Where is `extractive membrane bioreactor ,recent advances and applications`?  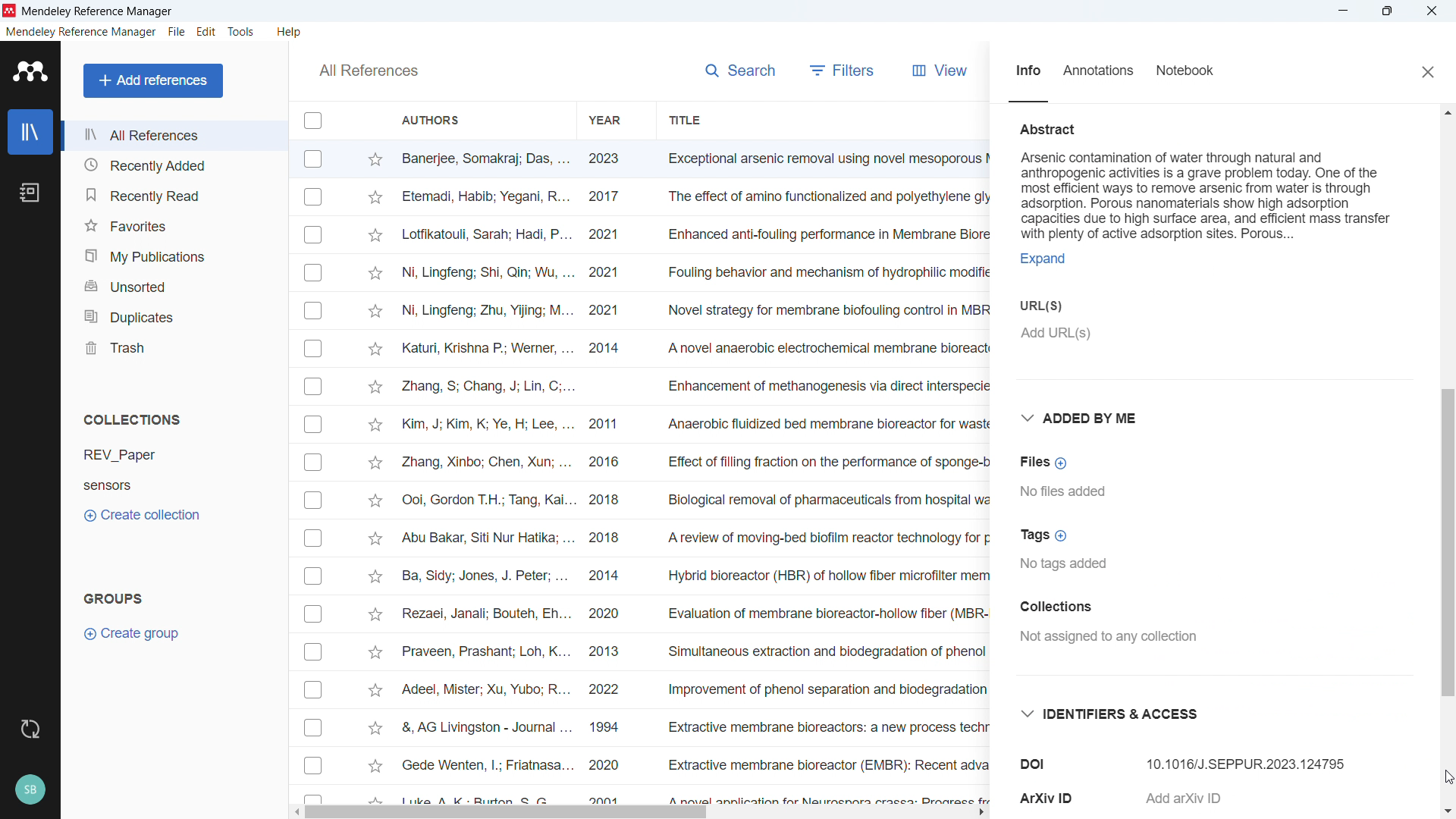 extractive membrane bioreactor ,recent advances and applications is located at coordinates (824, 767).